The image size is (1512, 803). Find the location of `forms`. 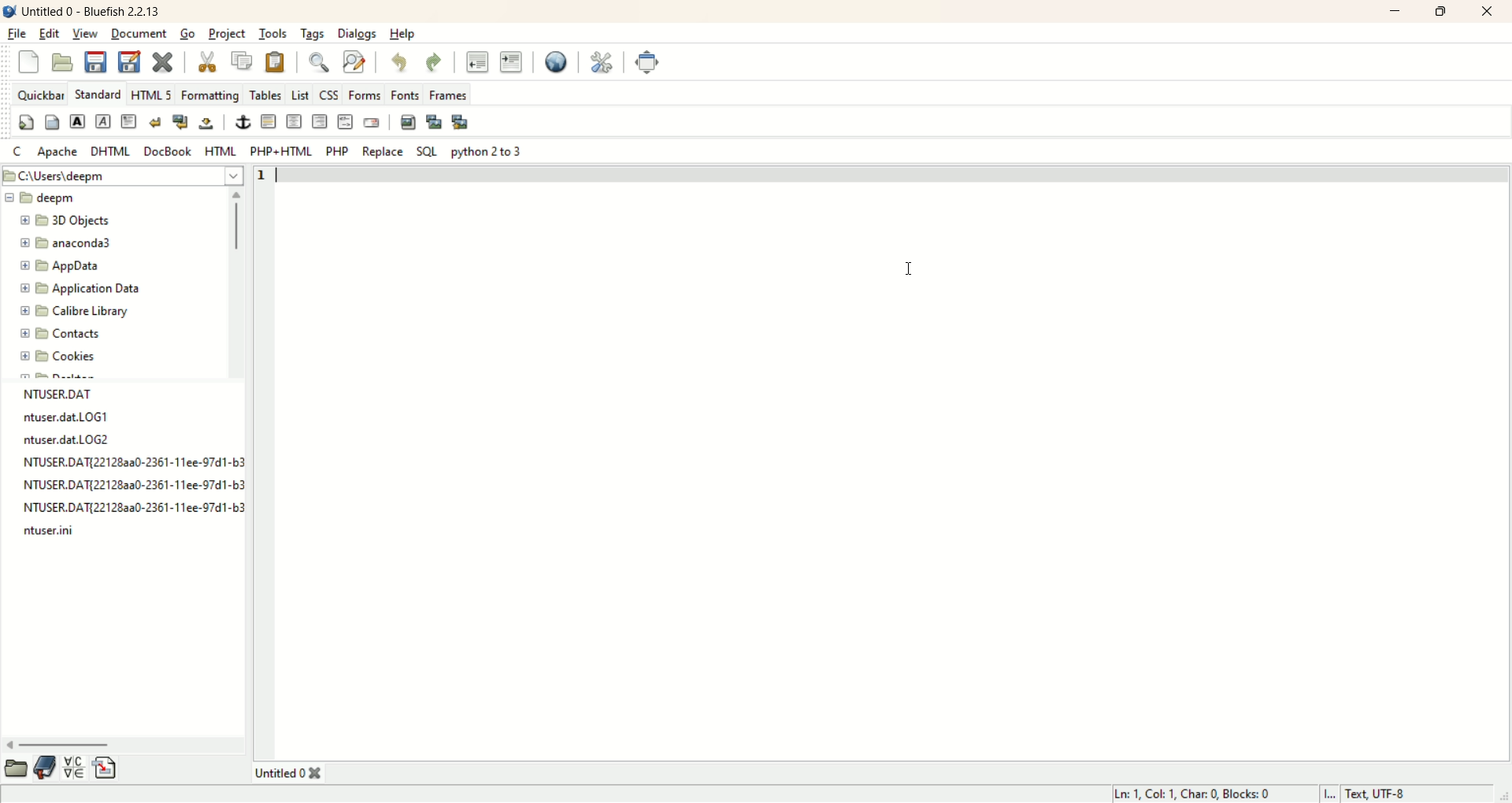

forms is located at coordinates (364, 94).